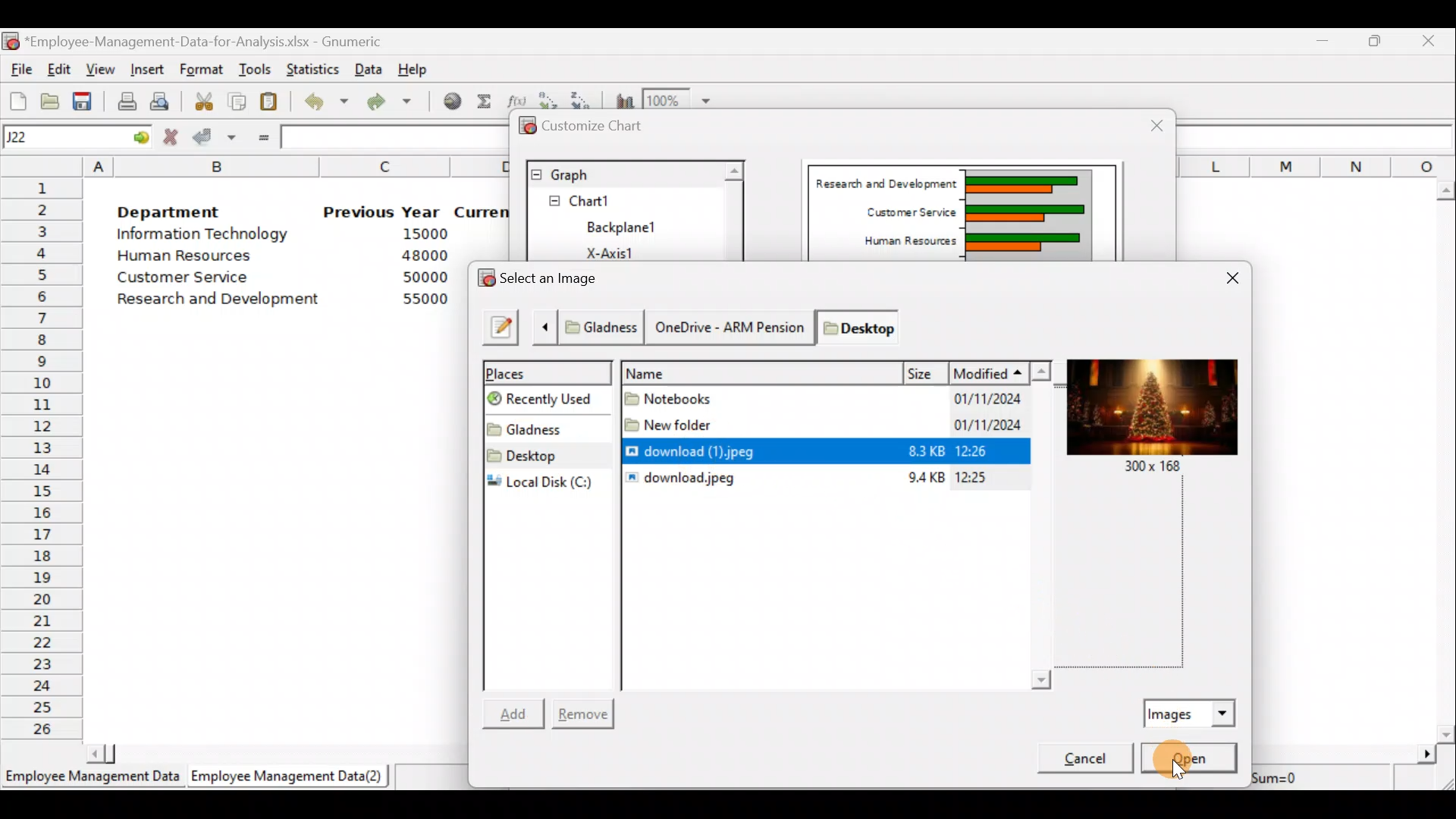 This screenshot has width=1456, height=819. I want to click on Cut the selection, so click(206, 104).